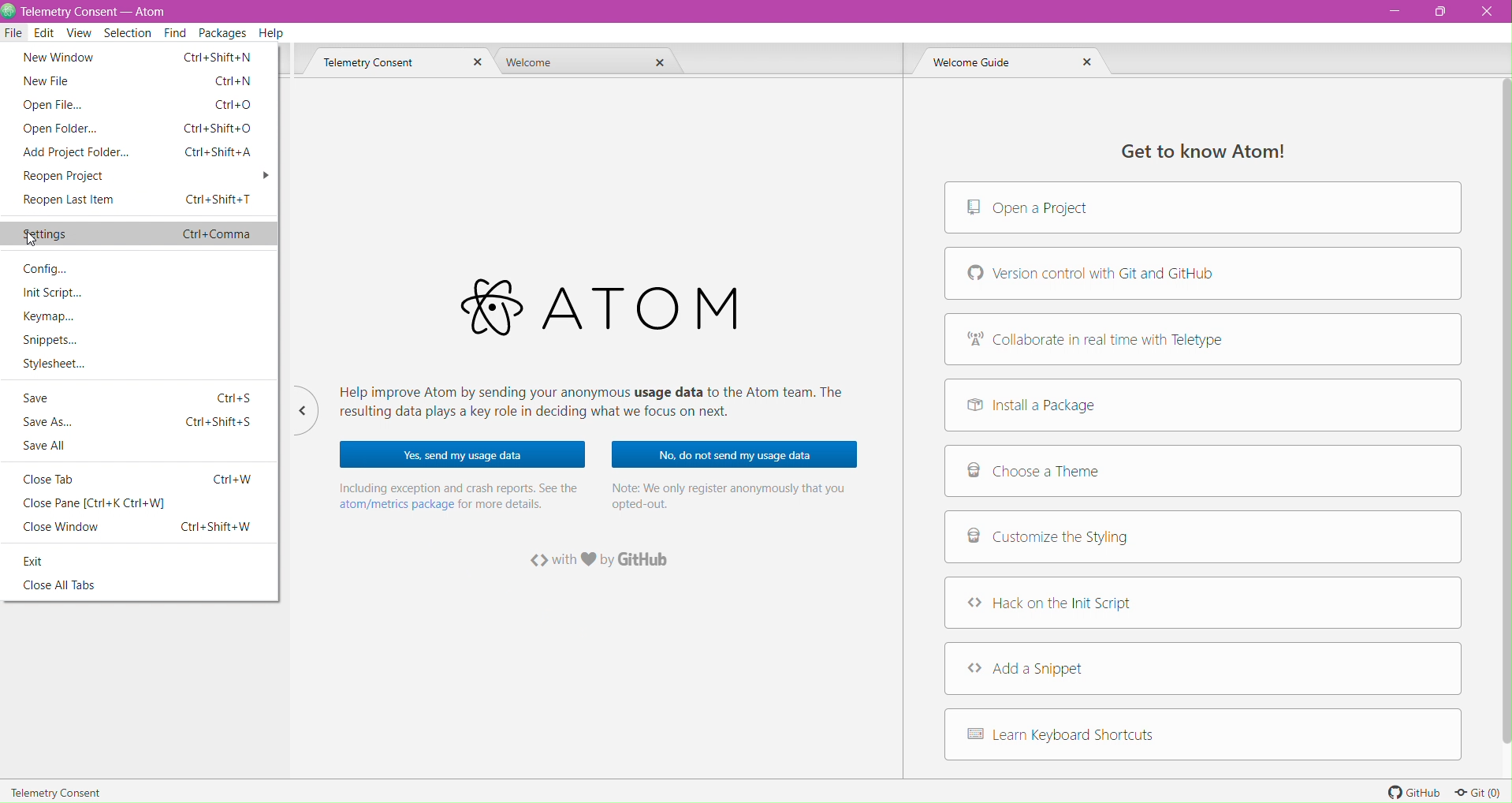 The height and width of the screenshot is (803, 1512). What do you see at coordinates (126, 32) in the screenshot?
I see `Selection` at bounding box center [126, 32].